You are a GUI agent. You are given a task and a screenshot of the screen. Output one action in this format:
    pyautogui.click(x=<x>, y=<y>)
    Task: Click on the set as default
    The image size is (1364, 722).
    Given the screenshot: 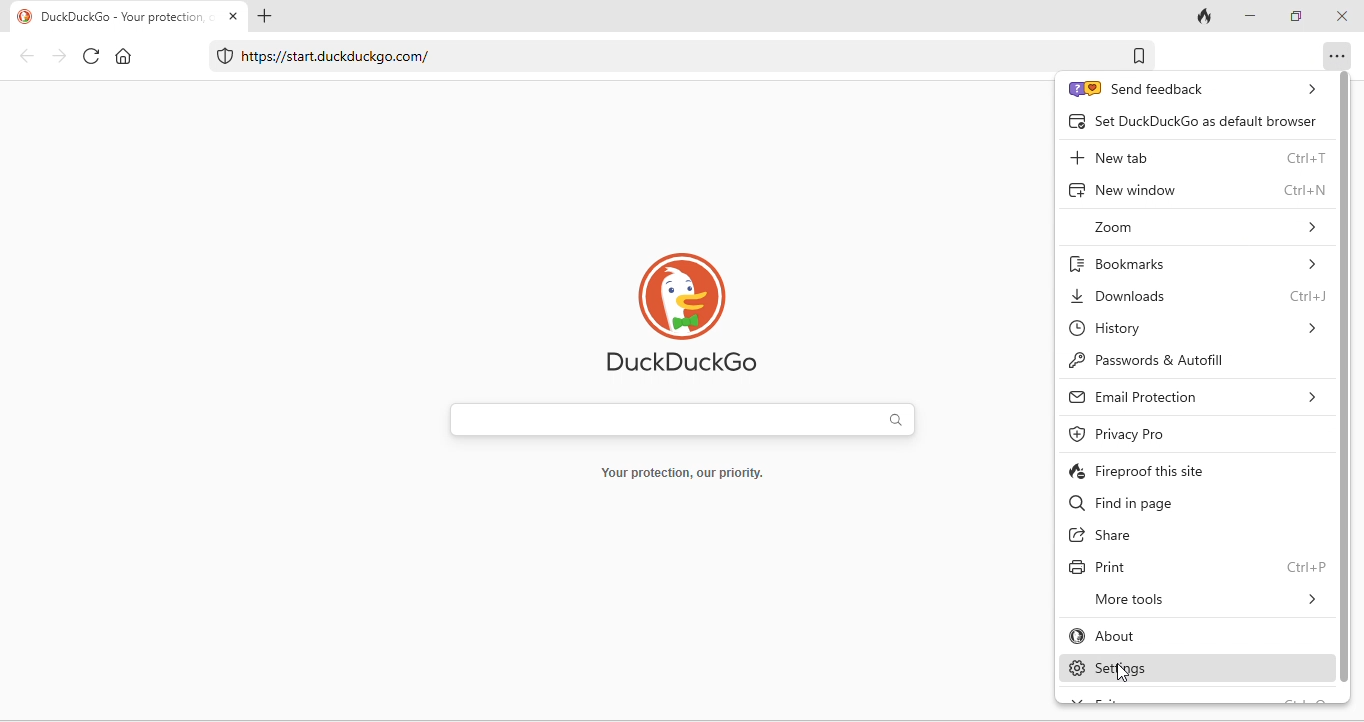 What is the action you would take?
    pyautogui.click(x=1190, y=119)
    